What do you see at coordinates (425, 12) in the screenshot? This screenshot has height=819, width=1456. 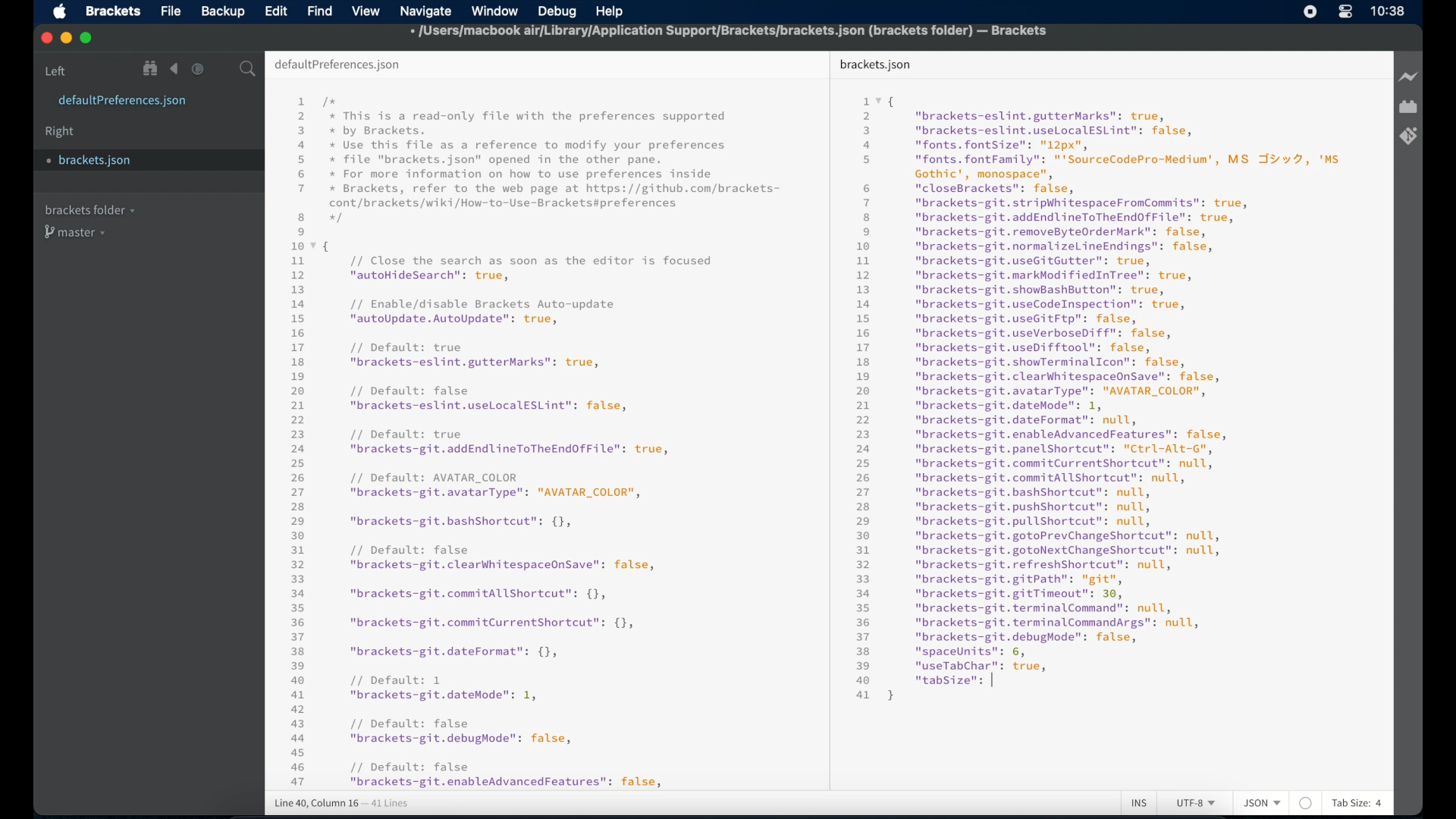 I see `navigate` at bounding box center [425, 12].